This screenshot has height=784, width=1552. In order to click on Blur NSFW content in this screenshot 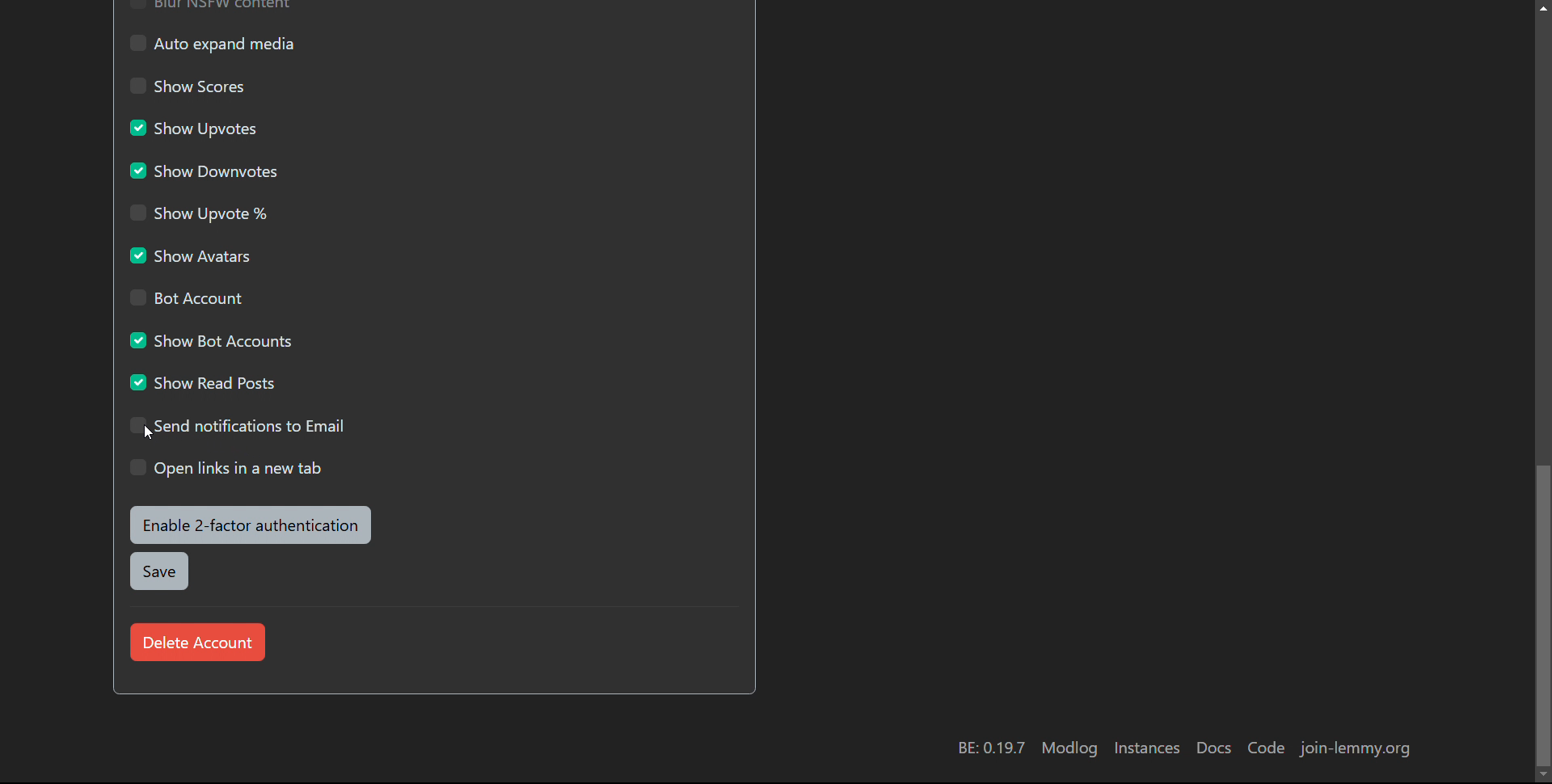, I will do `click(211, 6)`.